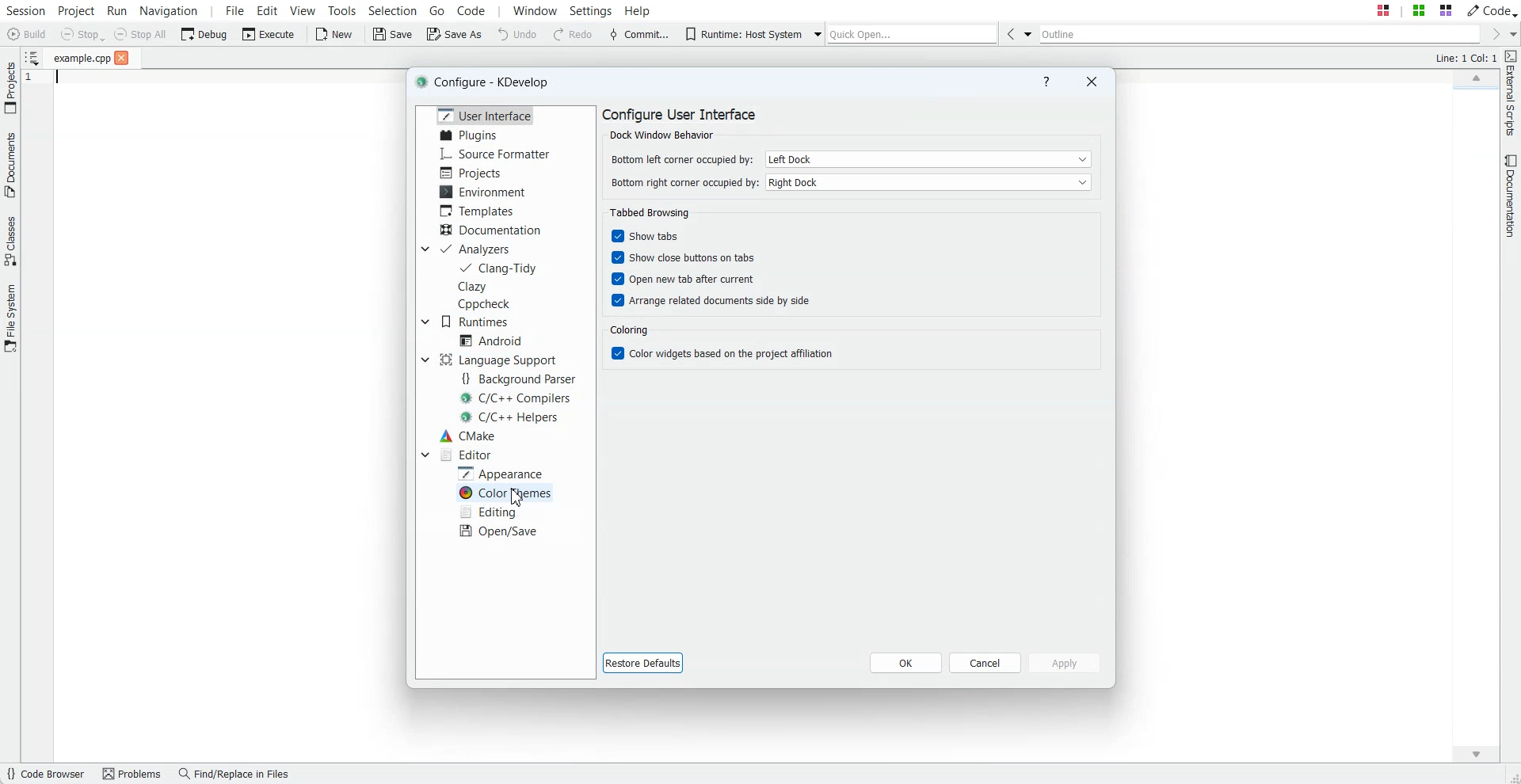 The height and width of the screenshot is (784, 1521). Describe the element at coordinates (480, 211) in the screenshot. I see `Templates` at that location.